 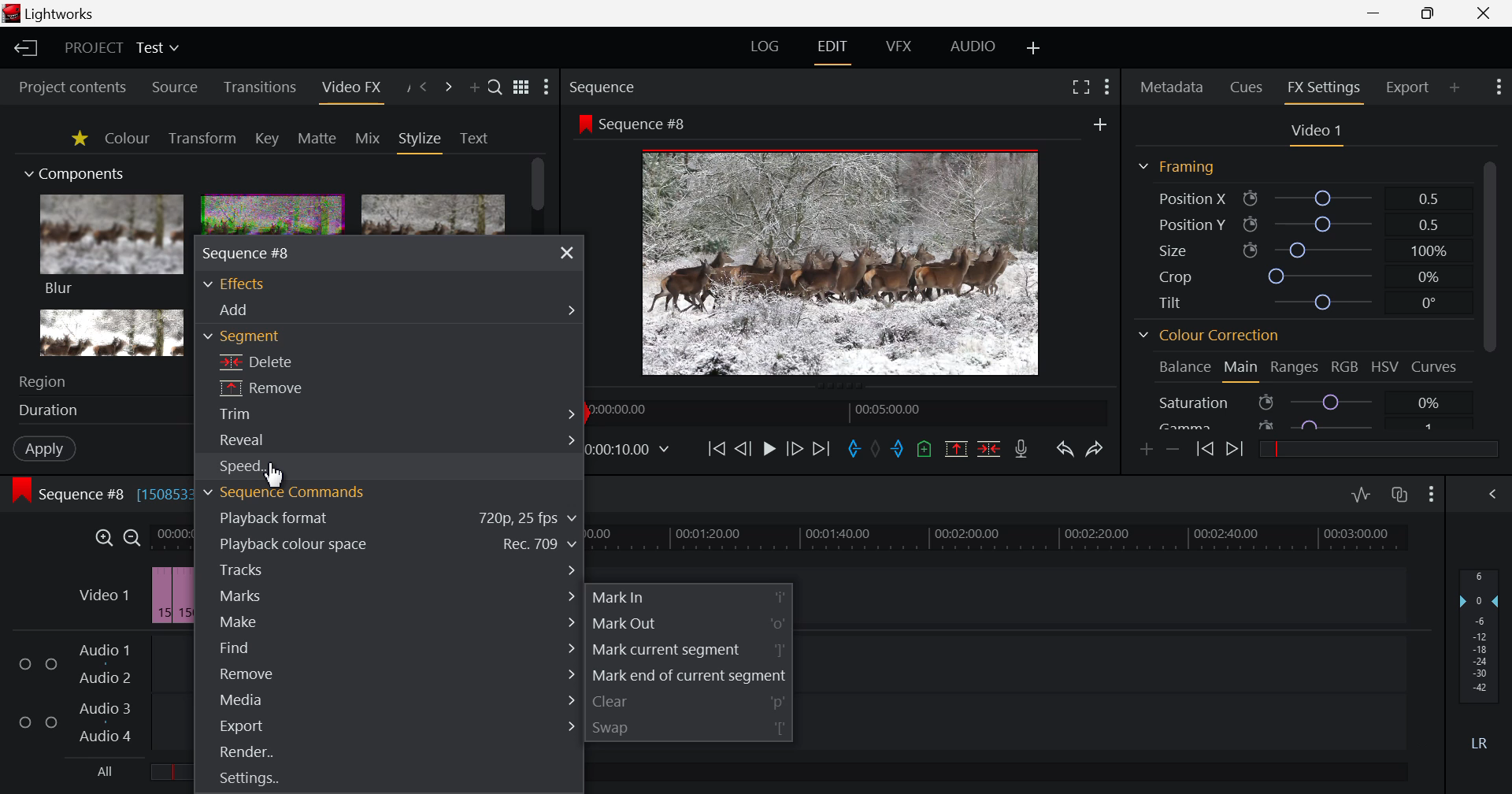 I want to click on Glow, so click(x=113, y=333).